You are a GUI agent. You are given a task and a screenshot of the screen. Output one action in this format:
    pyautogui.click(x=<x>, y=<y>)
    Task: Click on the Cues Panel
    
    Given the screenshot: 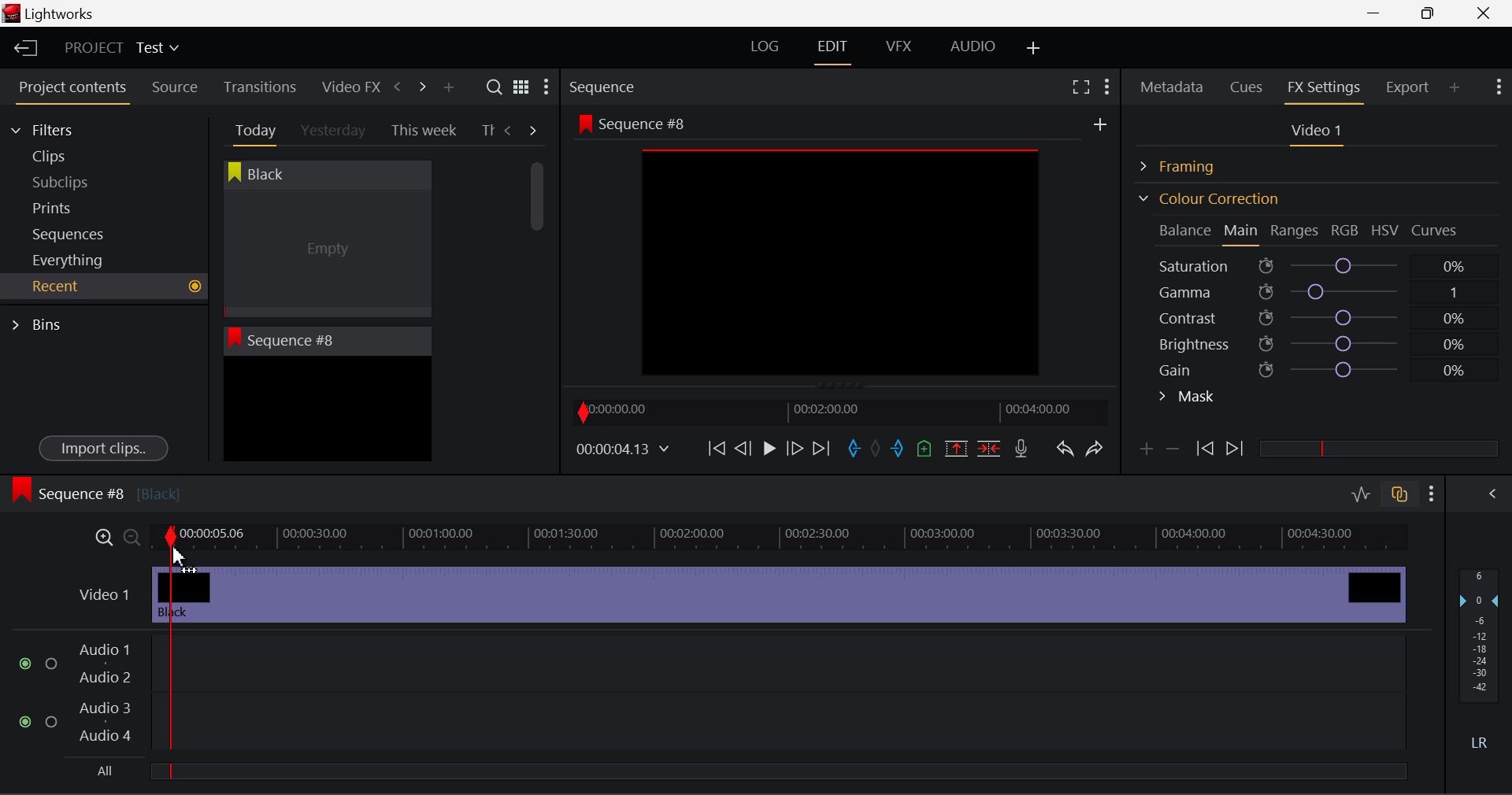 What is the action you would take?
    pyautogui.click(x=1248, y=85)
    